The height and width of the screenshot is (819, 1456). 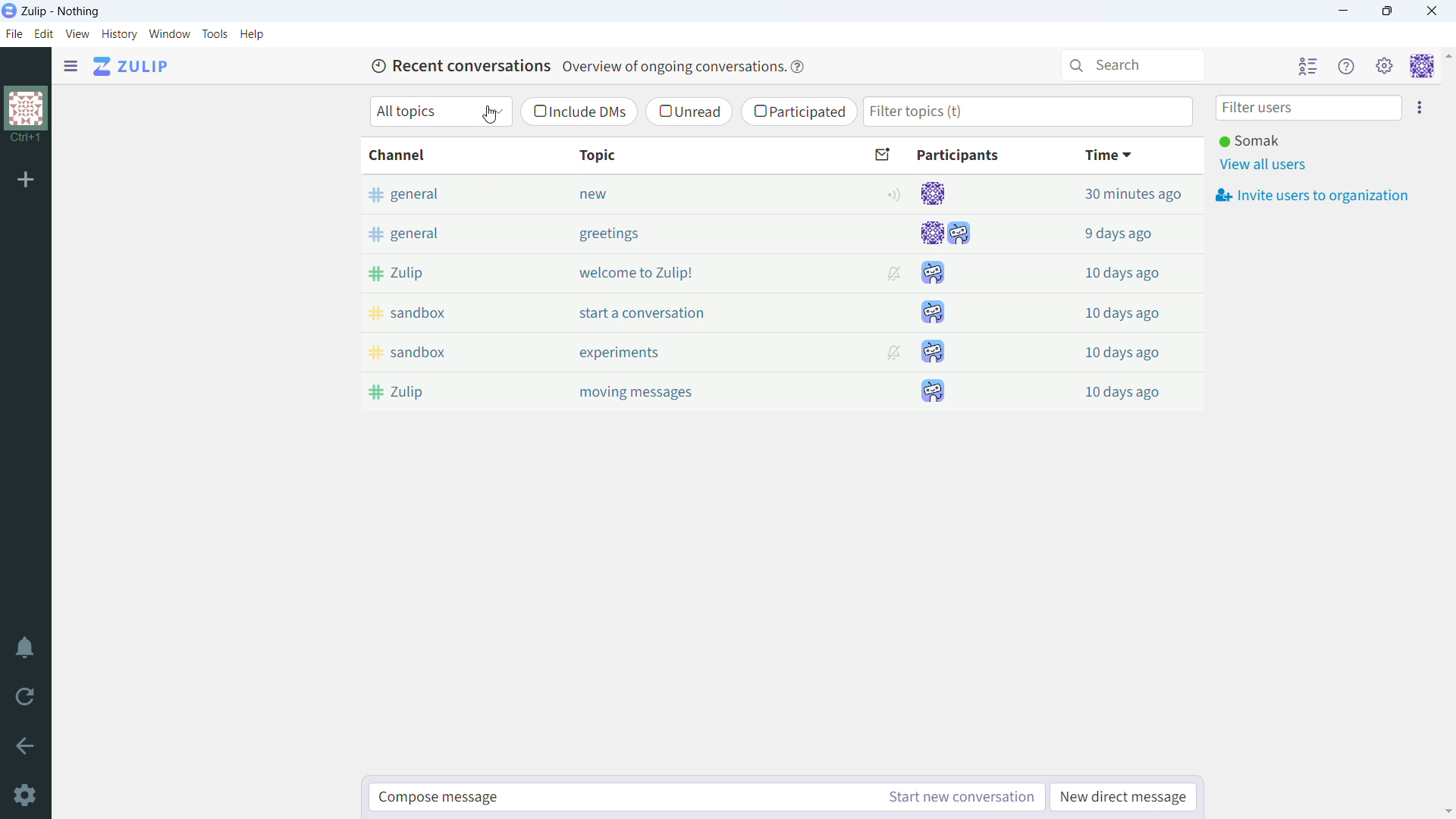 I want to click on view all users, so click(x=1265, y=165).